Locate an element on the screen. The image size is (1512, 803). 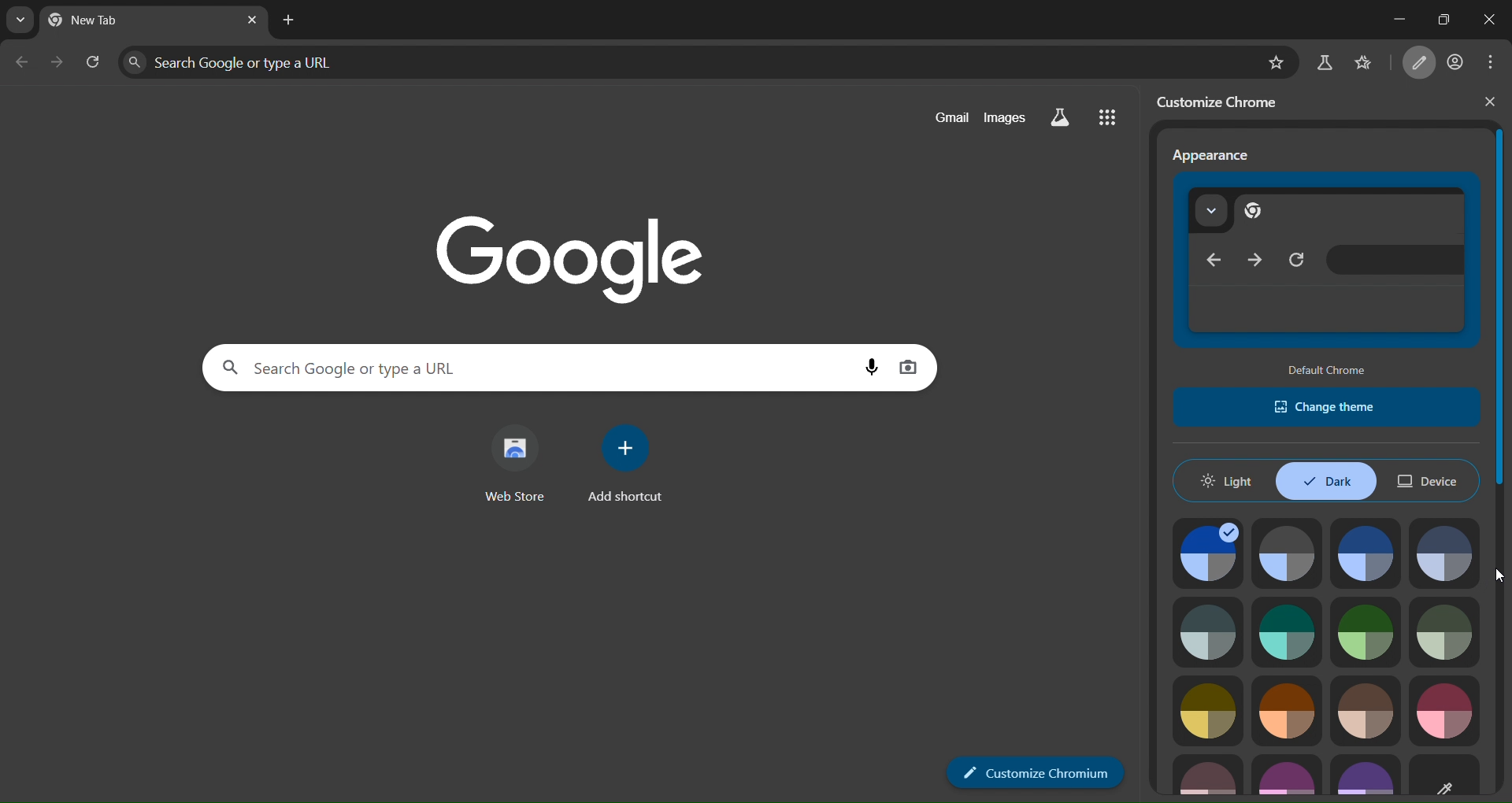
slider is located at coordinates (1502, 436).